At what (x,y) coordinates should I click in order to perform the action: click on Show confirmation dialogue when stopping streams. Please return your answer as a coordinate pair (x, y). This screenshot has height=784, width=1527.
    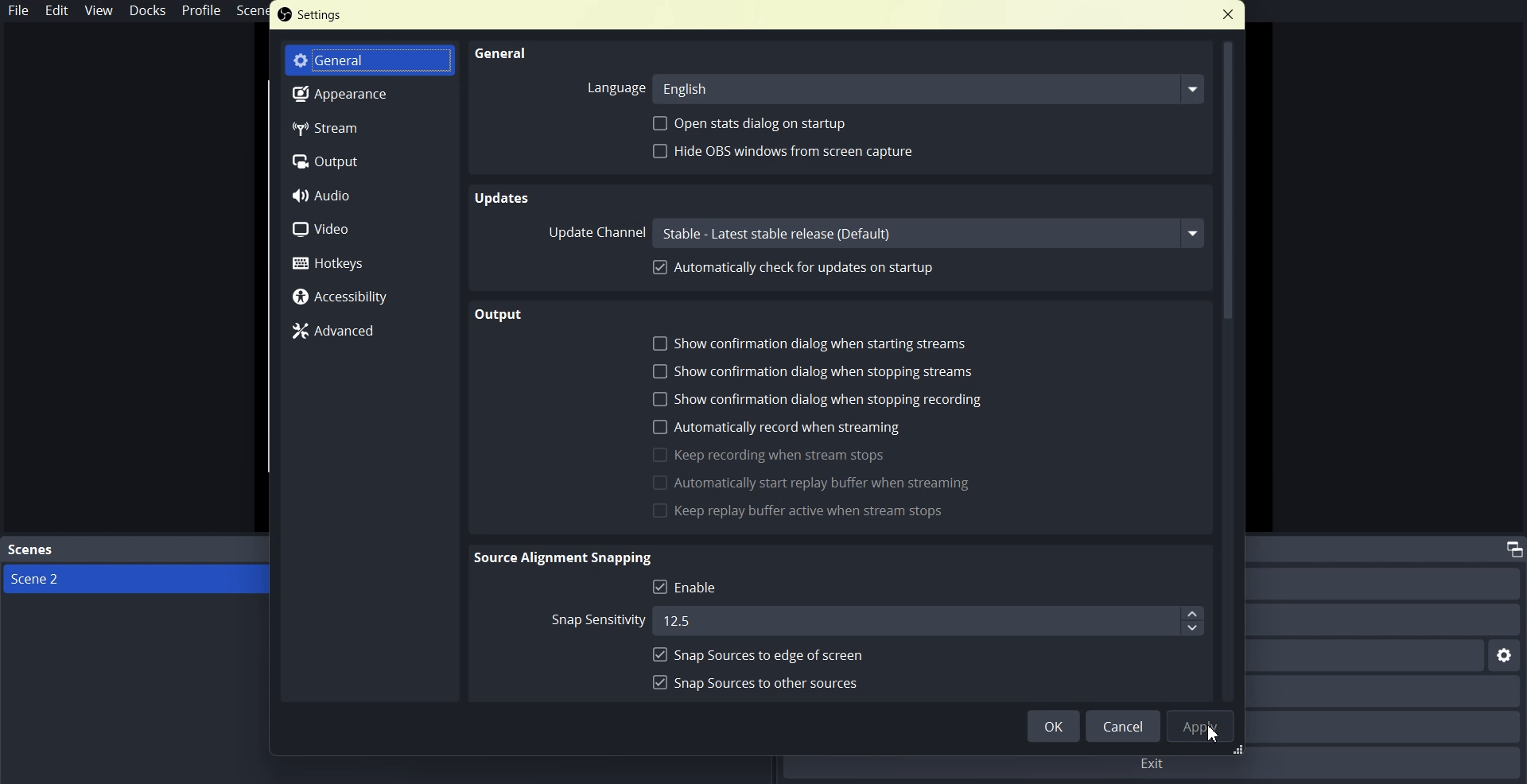
    Looking at the image, I should click on (812, 371).